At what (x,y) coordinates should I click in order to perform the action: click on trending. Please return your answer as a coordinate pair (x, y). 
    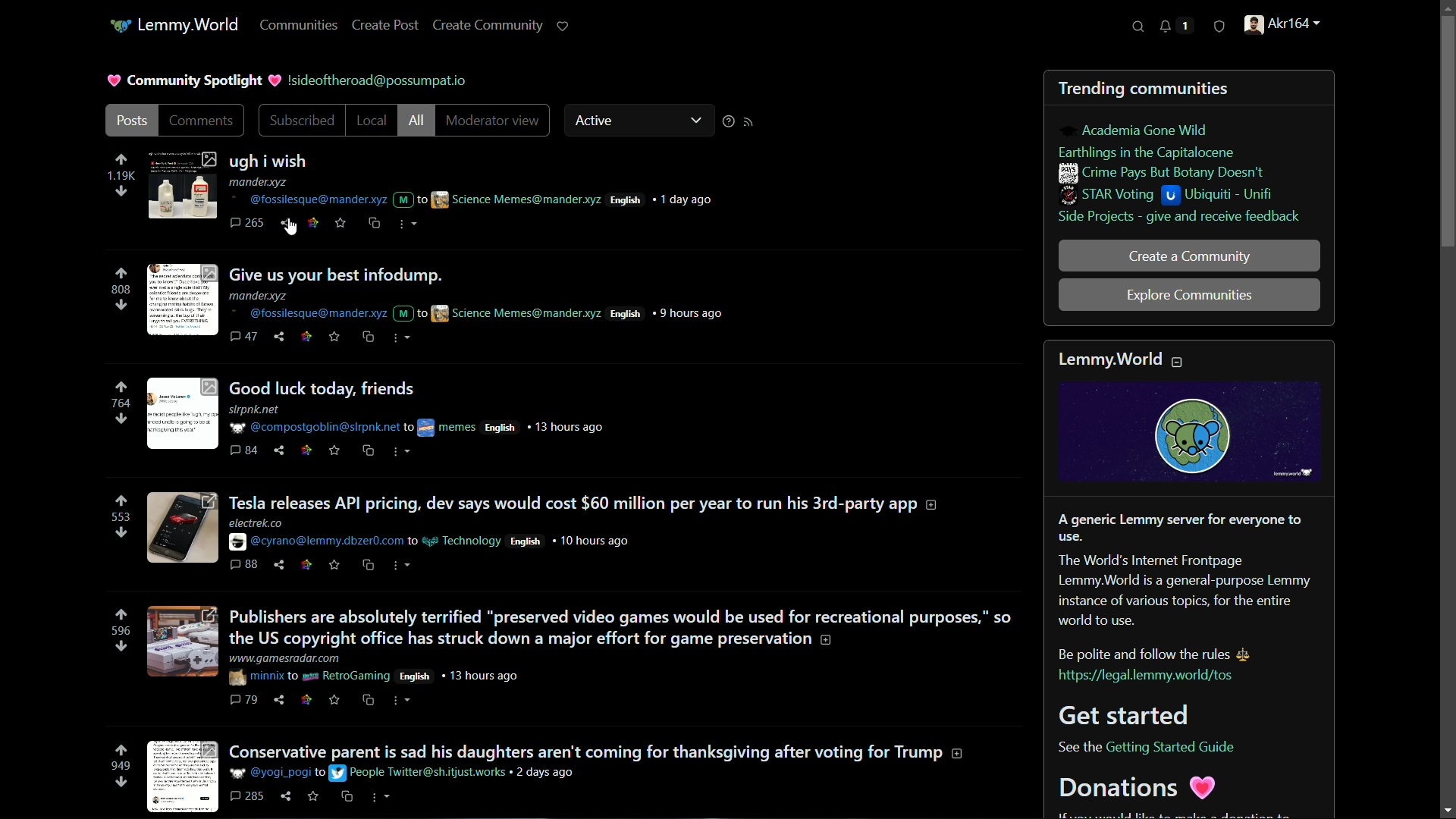
    Looking at the image, I should click on (1091, 90).